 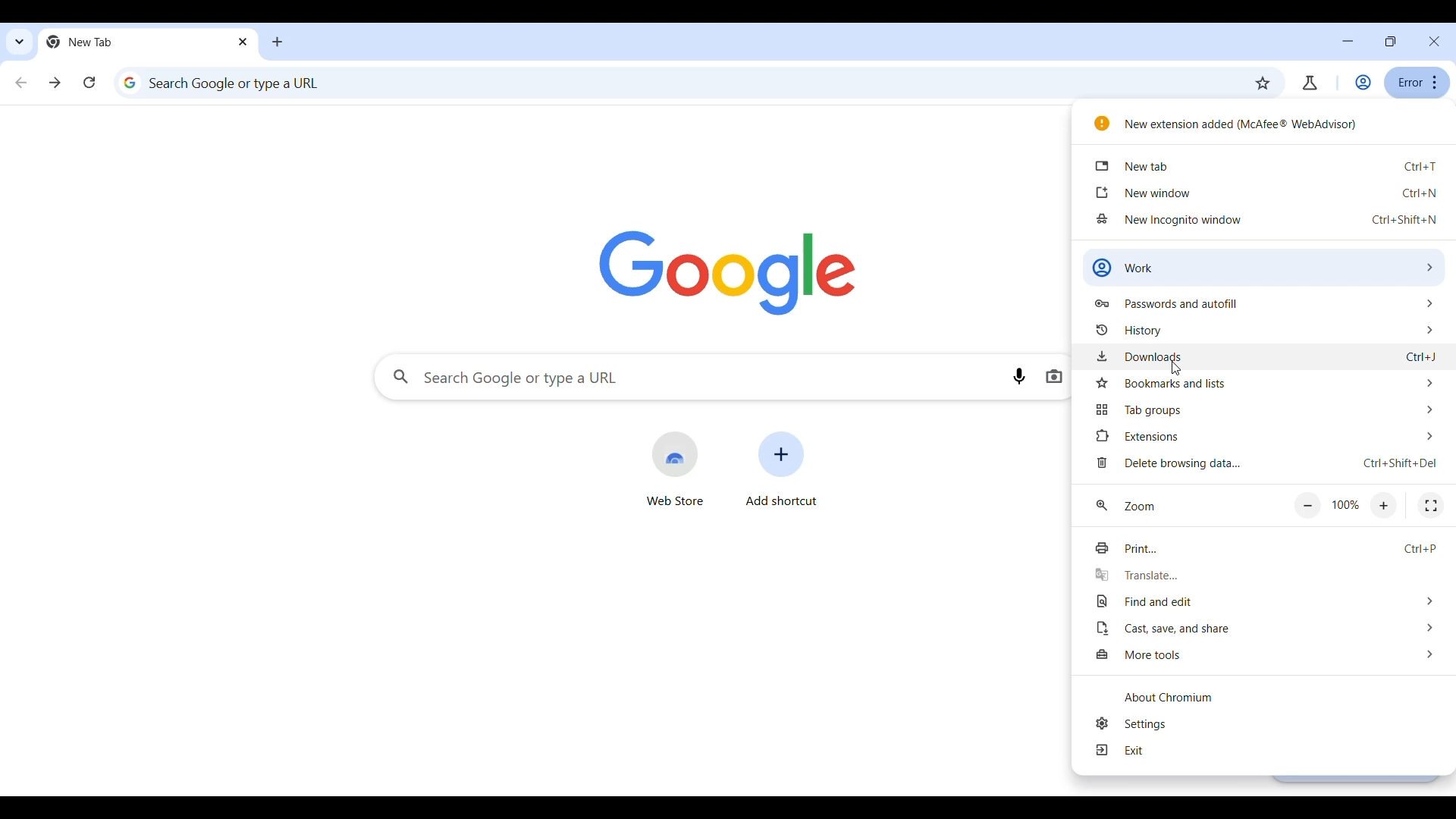 I want to click on Go backward, so click(x=20, y=83).